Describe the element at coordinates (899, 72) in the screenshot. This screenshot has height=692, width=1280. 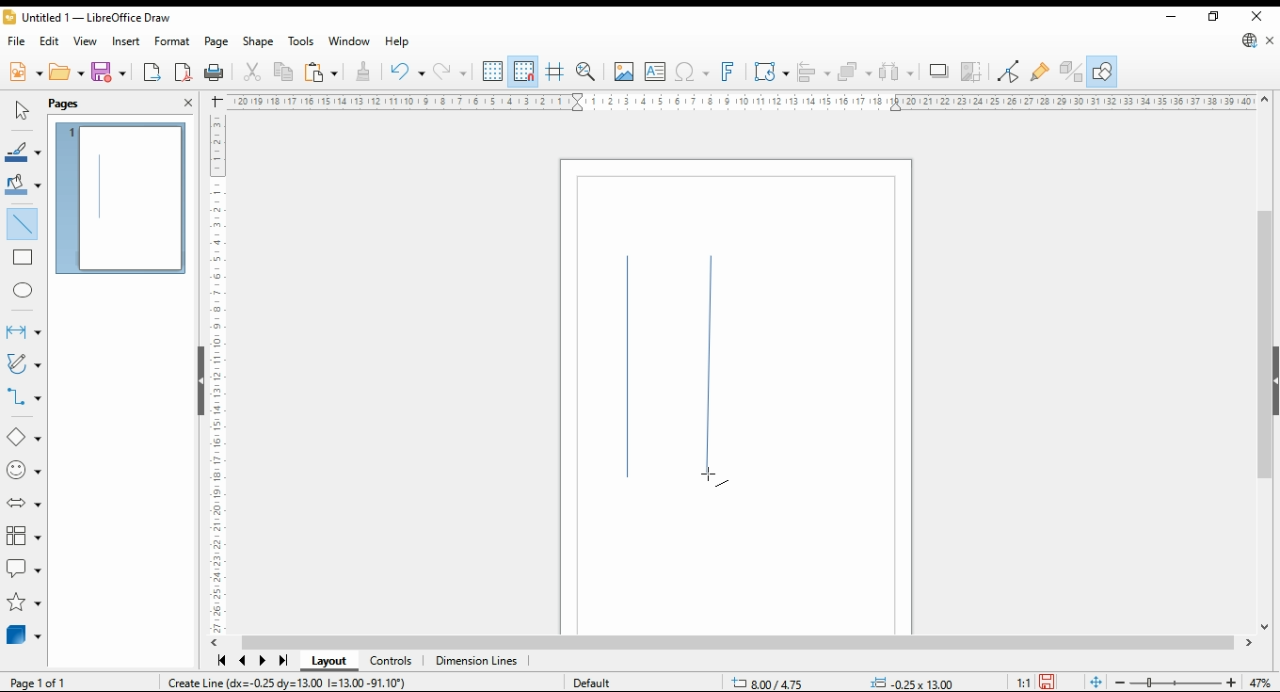
I see `select at least three objects to distribute` at that location.